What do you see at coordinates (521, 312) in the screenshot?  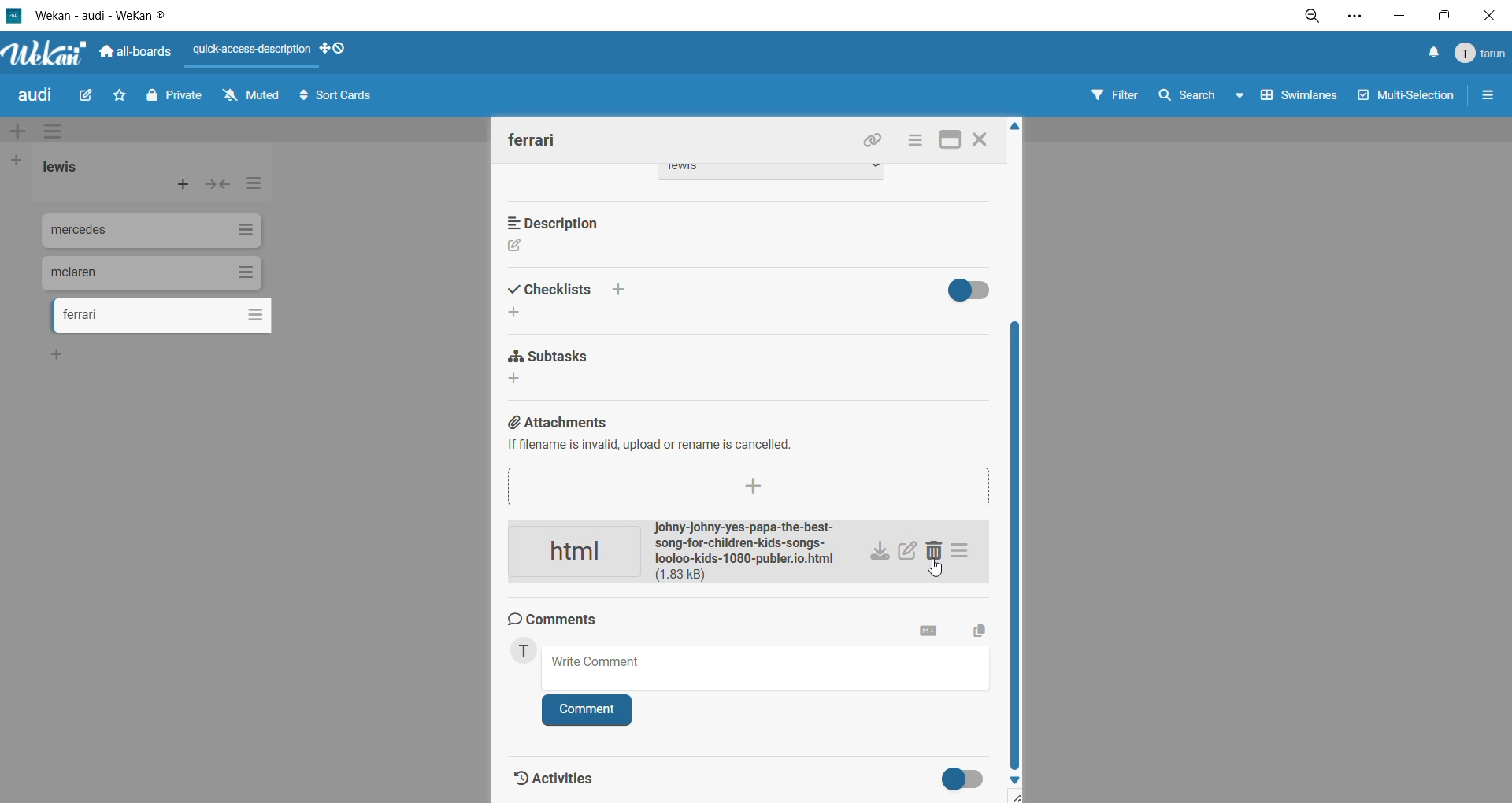 I see `add` at bounding box center [521, 312].